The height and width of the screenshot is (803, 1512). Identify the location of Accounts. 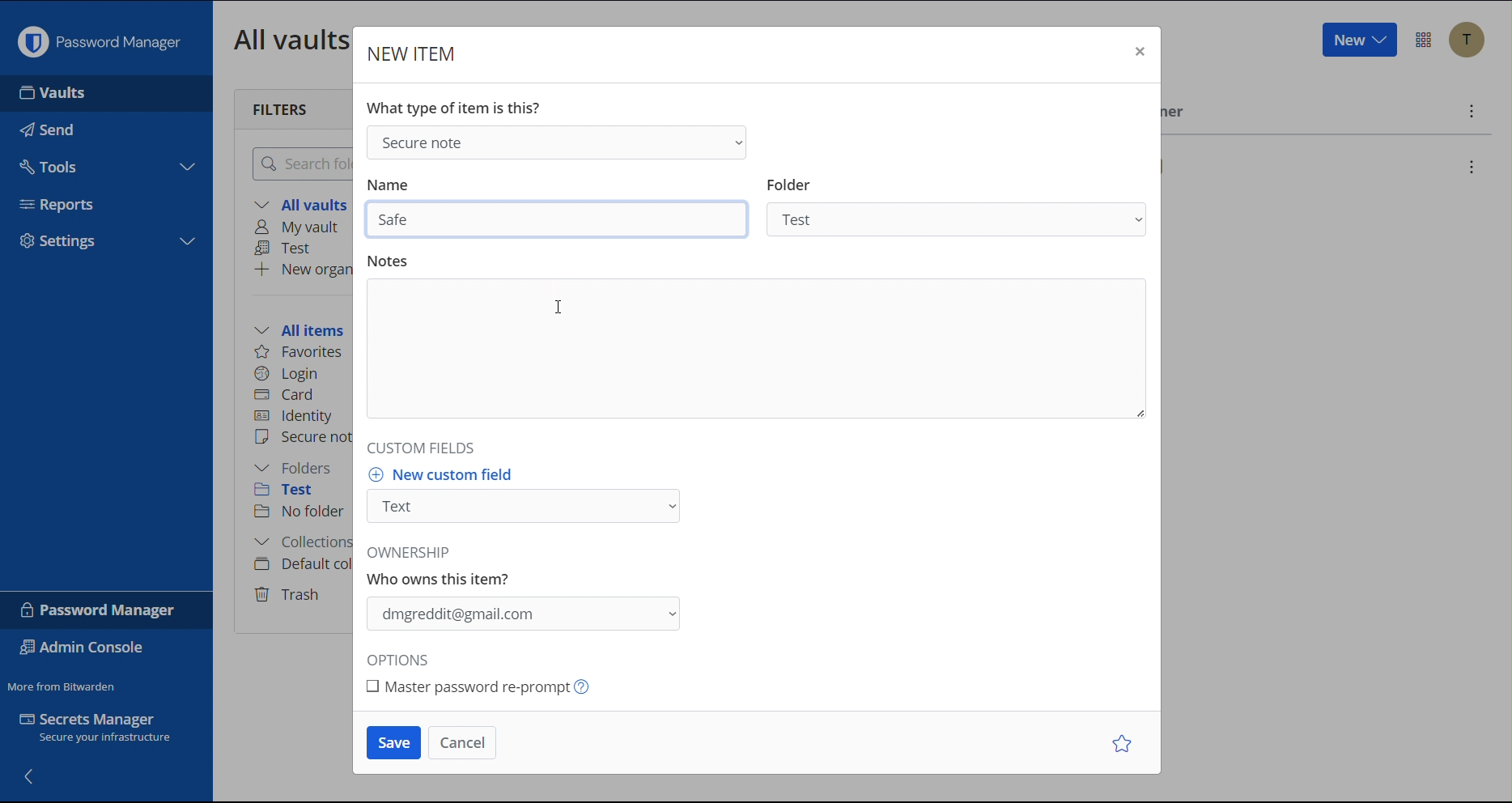
(1467, 40).